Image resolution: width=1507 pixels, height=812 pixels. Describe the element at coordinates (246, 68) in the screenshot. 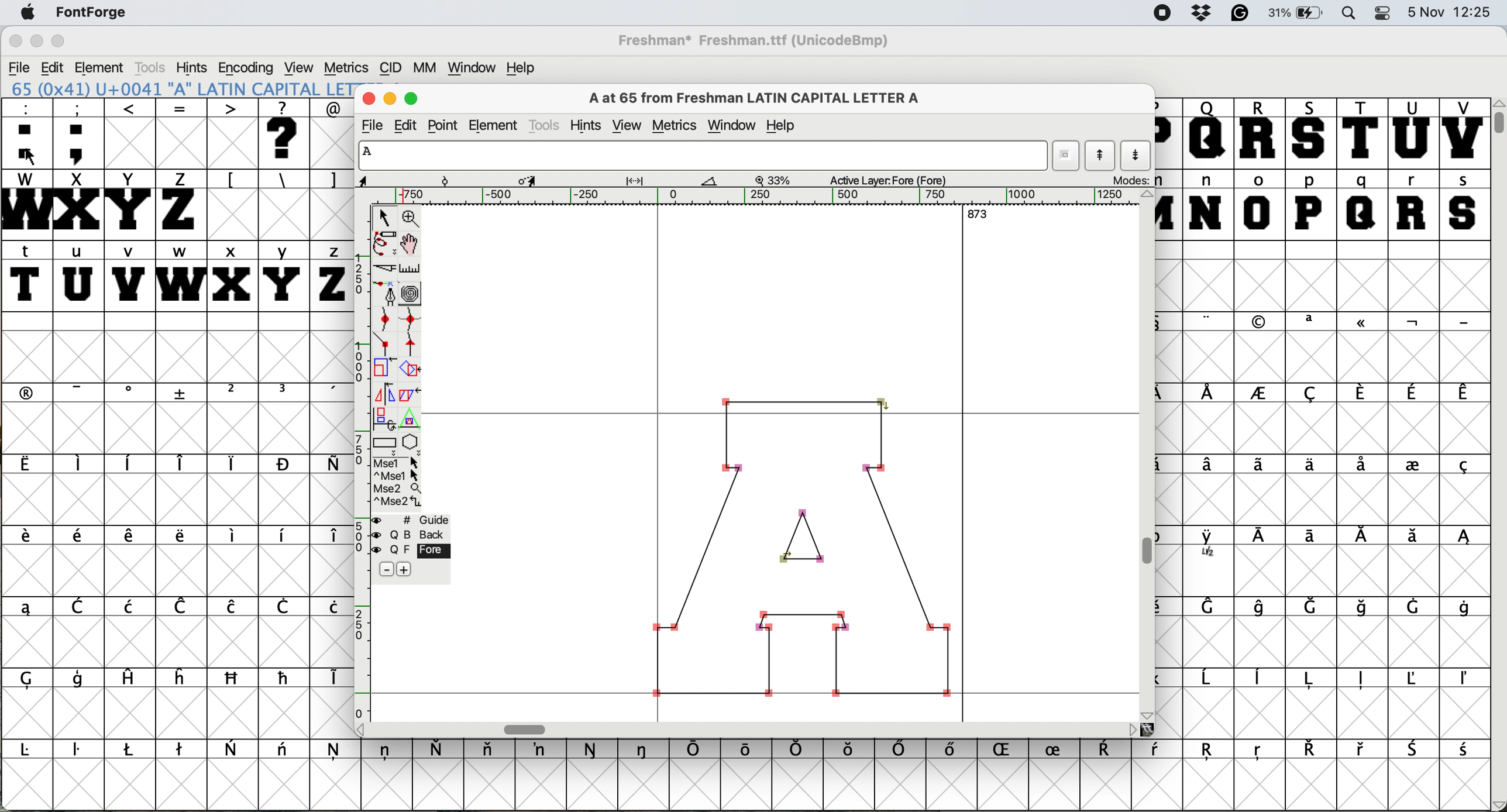

I see `encoding` at that location.